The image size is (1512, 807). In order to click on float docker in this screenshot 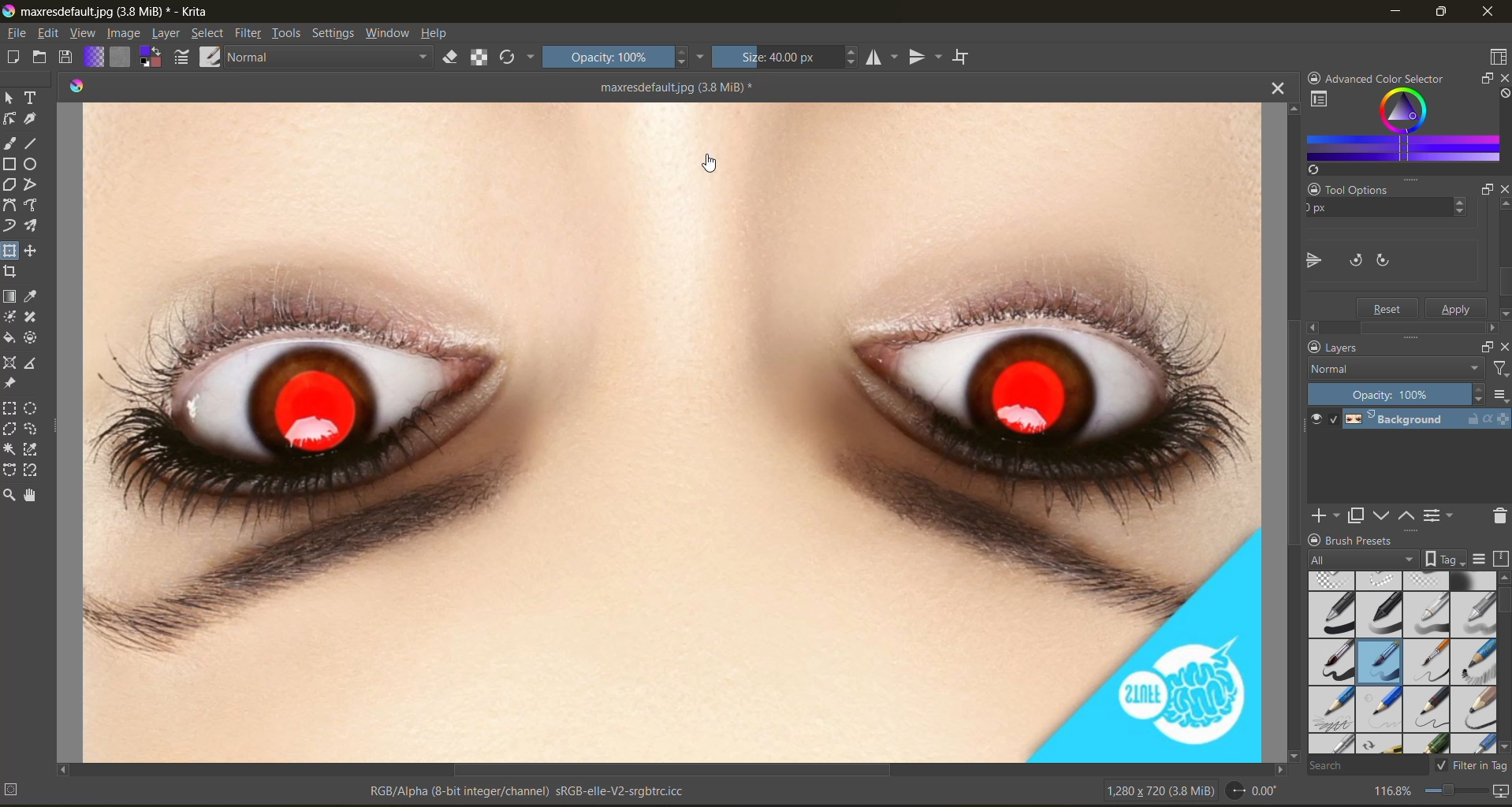, I will do `click(1484, 192)`.